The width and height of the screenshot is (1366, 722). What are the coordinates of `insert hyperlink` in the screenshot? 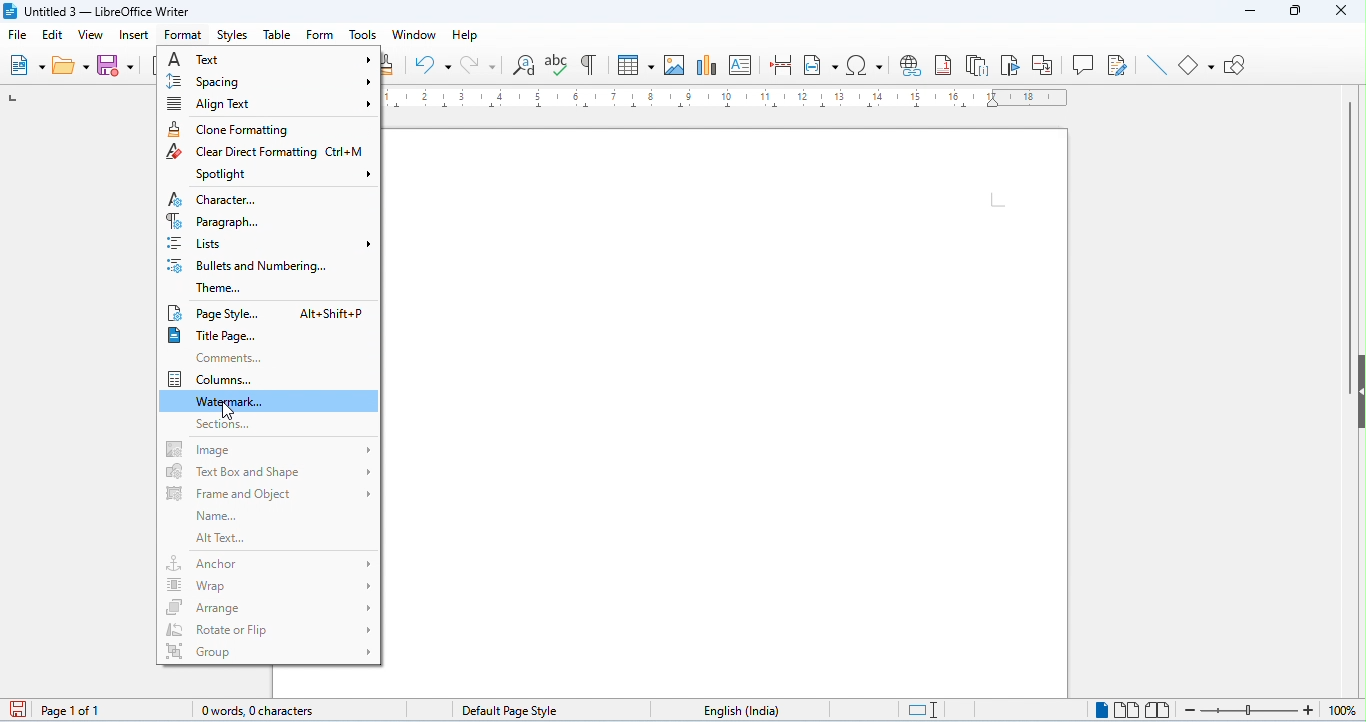 It's located at (910, 64).